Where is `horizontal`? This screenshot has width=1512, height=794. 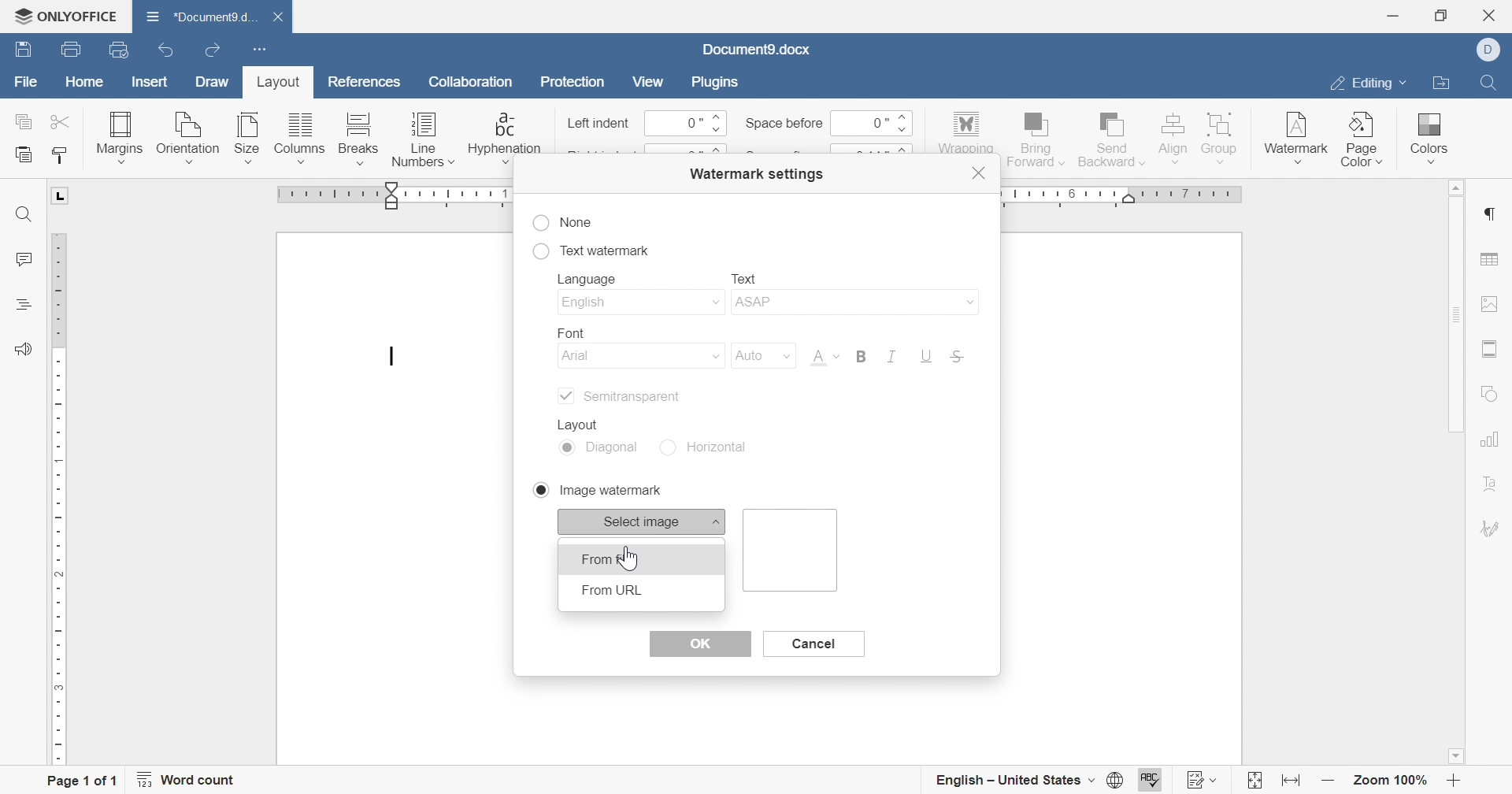
horizontal is located at coordinates (711, 447).